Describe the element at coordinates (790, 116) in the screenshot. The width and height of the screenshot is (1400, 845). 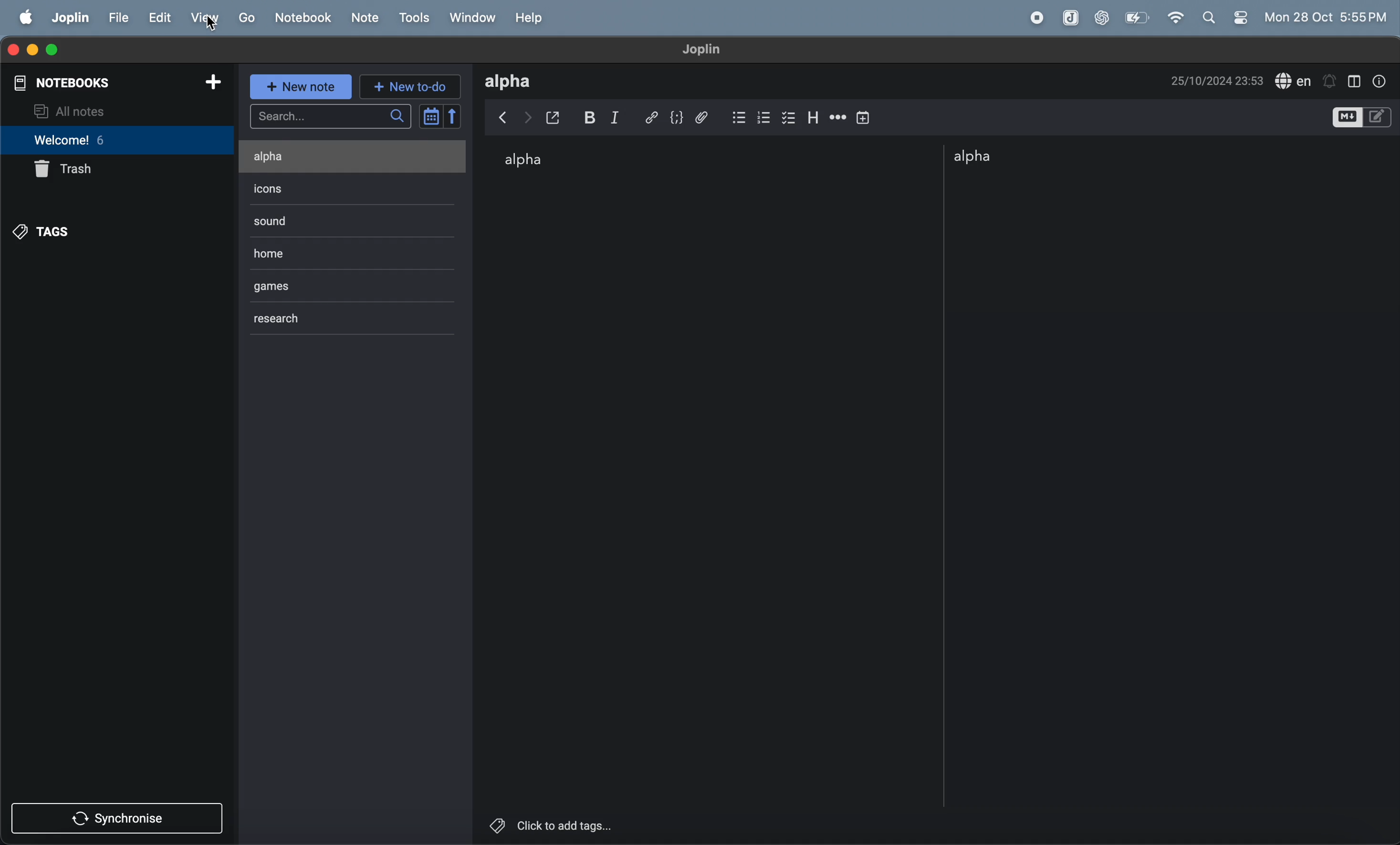
I see `check box` at that location.